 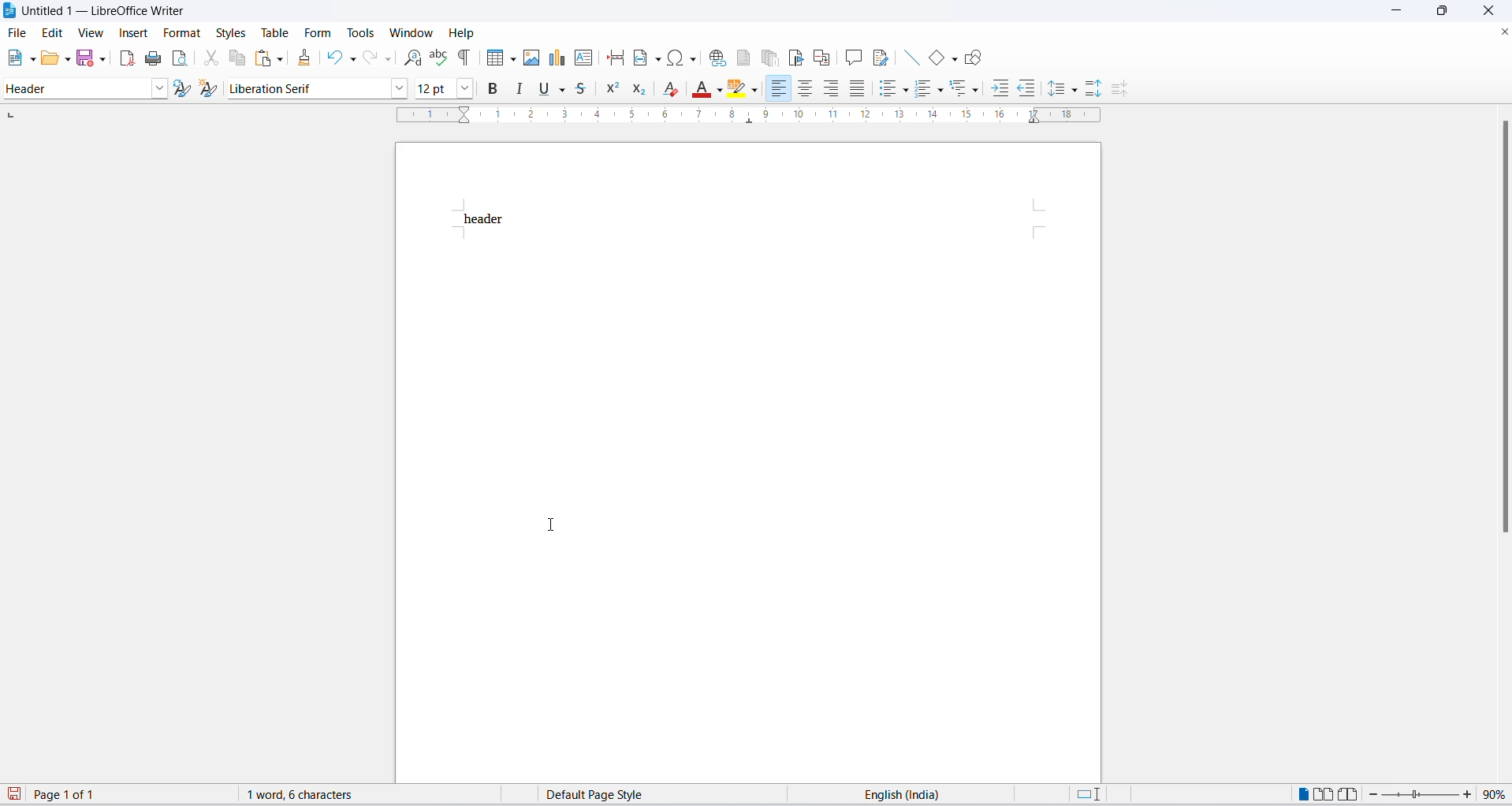 I want to click on format, so click(x=183, y=32).